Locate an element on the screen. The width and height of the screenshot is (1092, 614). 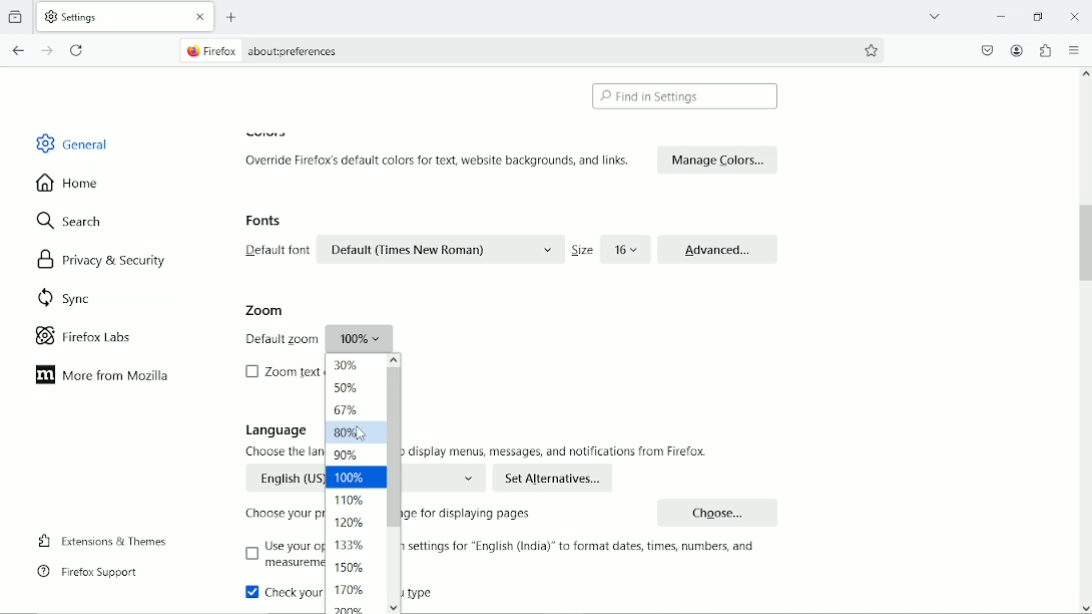
133% is located at coordinates (350, 545).